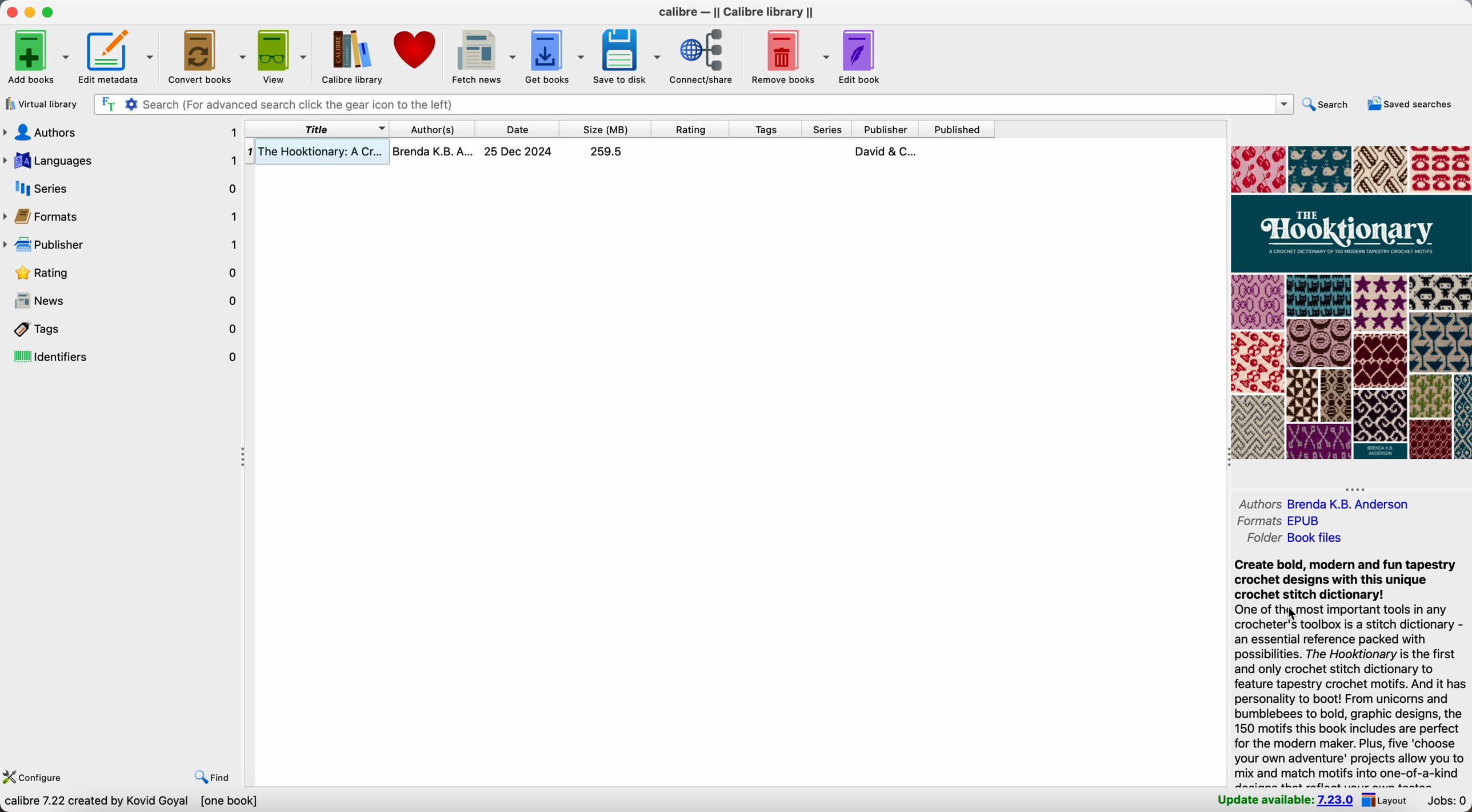 The width and height of the screenshot is (1472, 812). Describe the element at coordinates (556, 54) in the screenshot. I see `get books` at that location.